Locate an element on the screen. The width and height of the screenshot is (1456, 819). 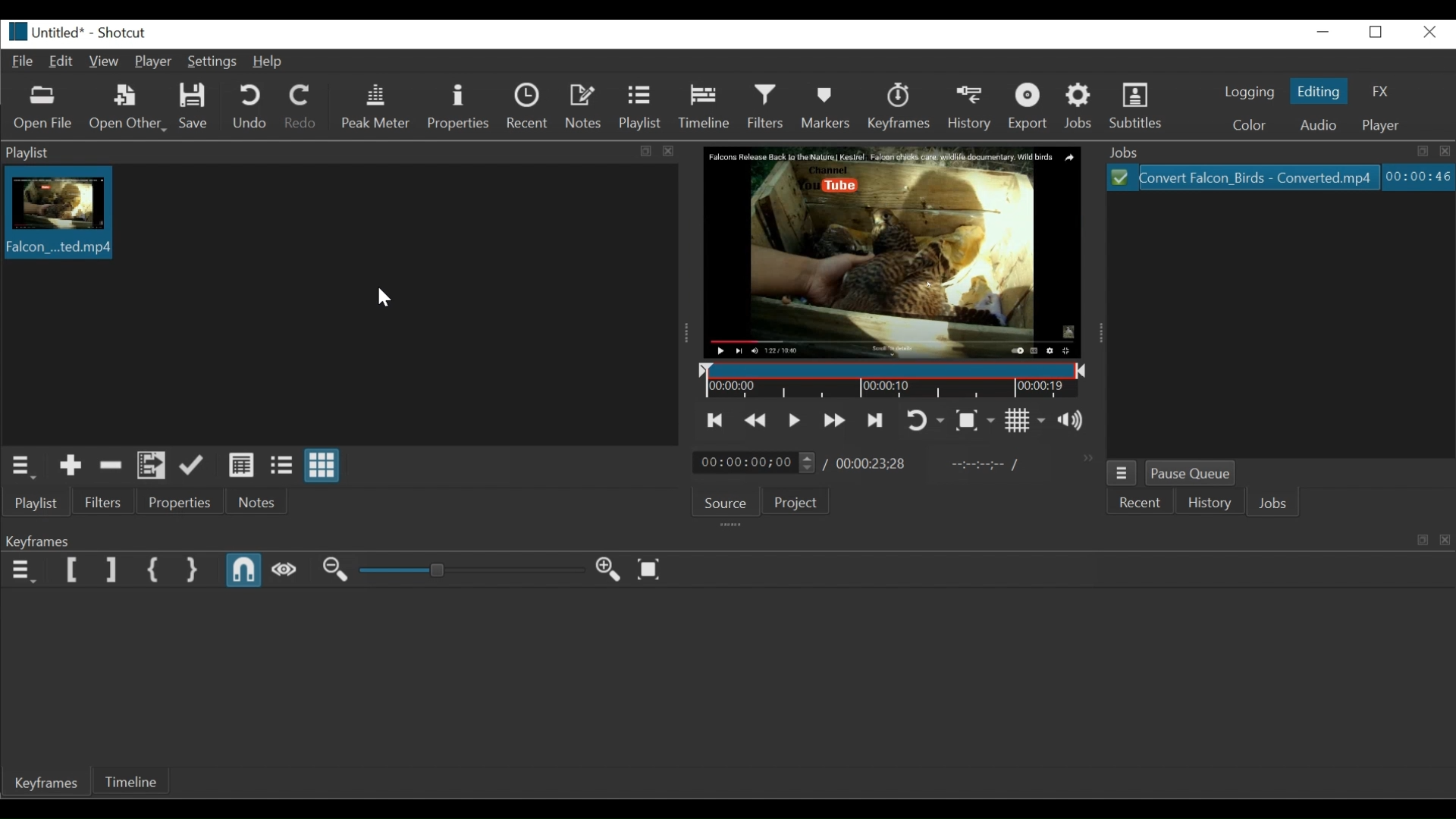
logging is located at coordinates (1250, 93).